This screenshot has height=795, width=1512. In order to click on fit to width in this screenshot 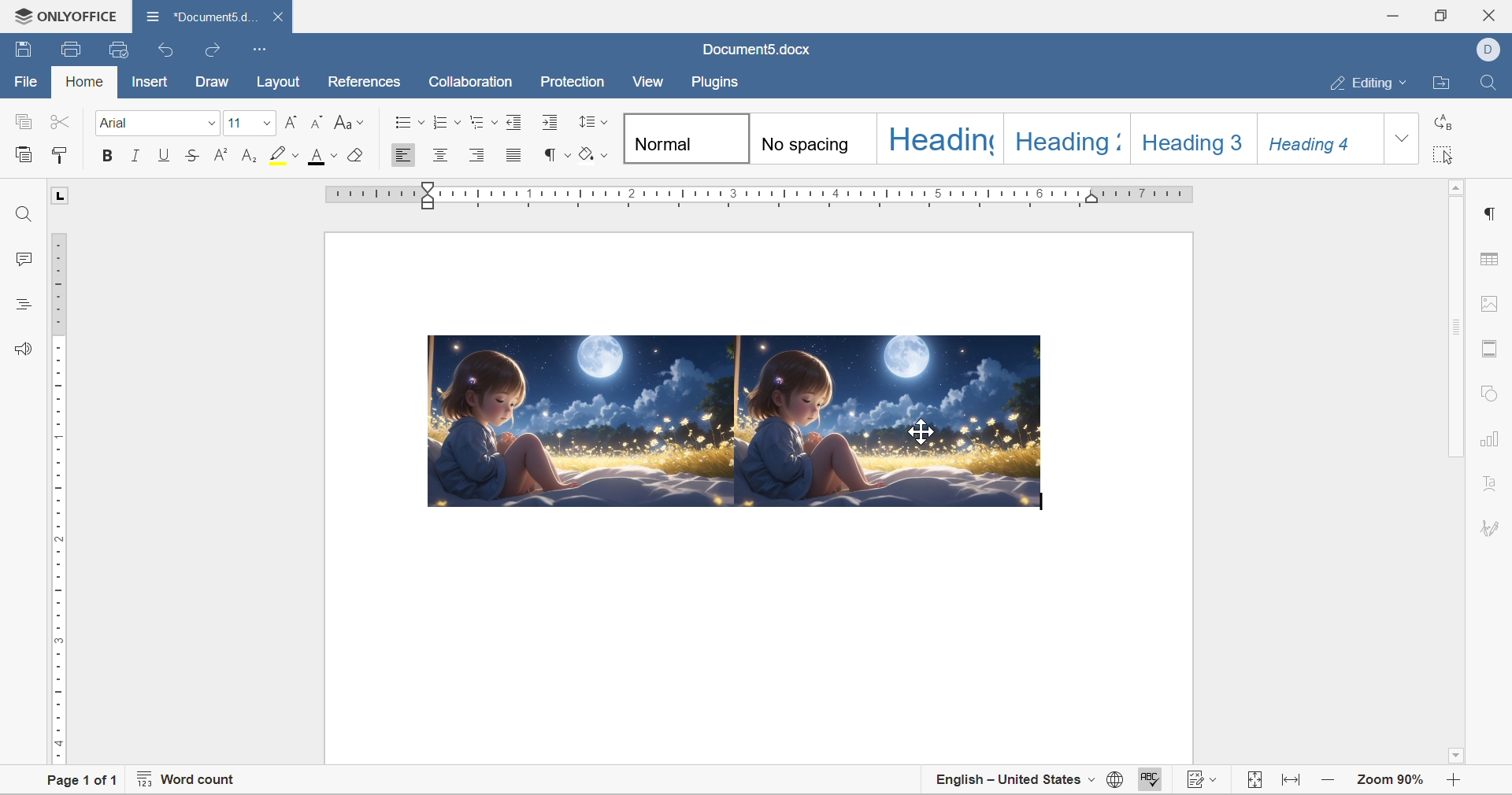, I will do `click(1293, 780)`.